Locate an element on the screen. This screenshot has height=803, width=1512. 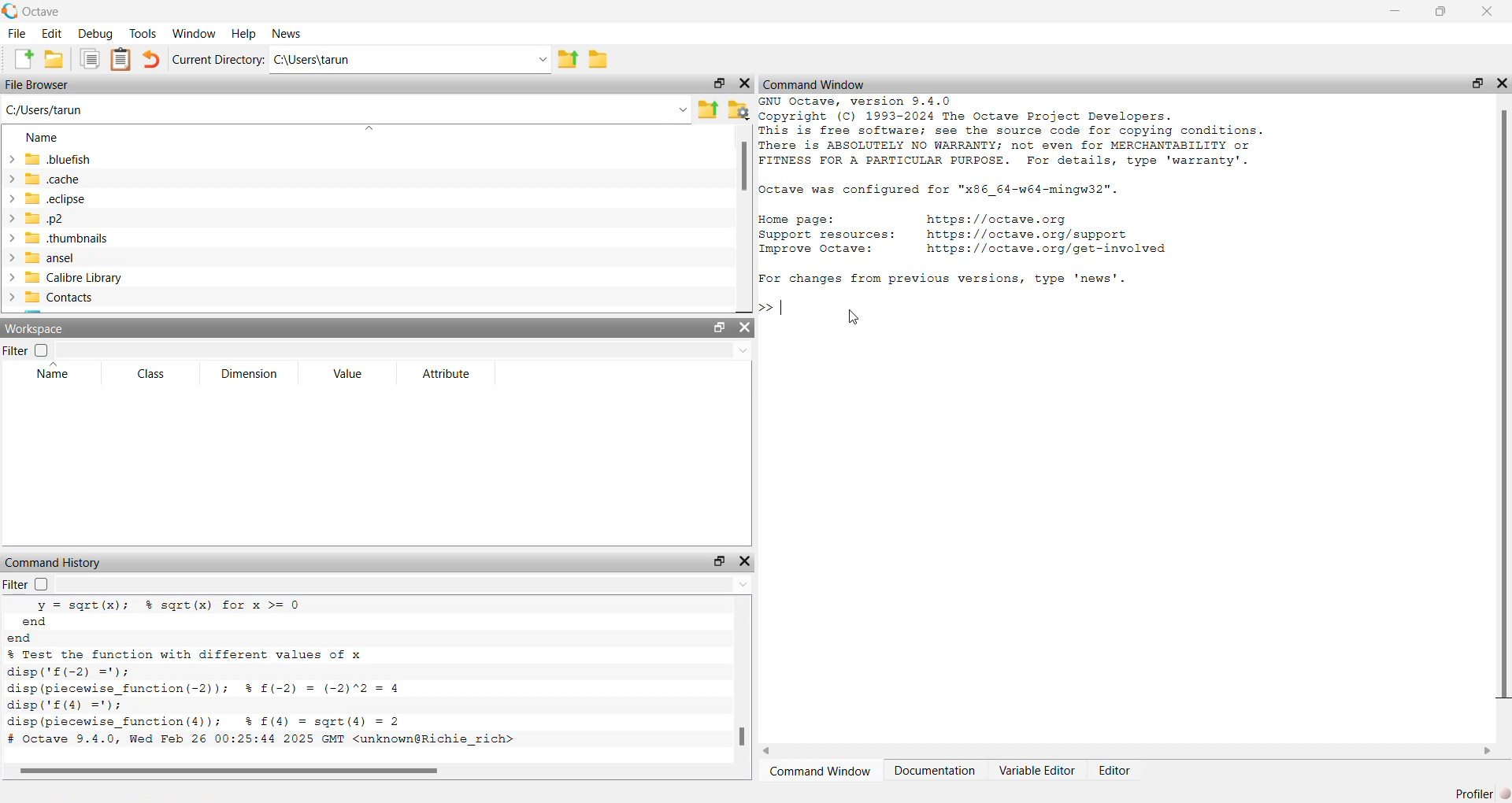
>  ansel is located at coordinates (43, 258).